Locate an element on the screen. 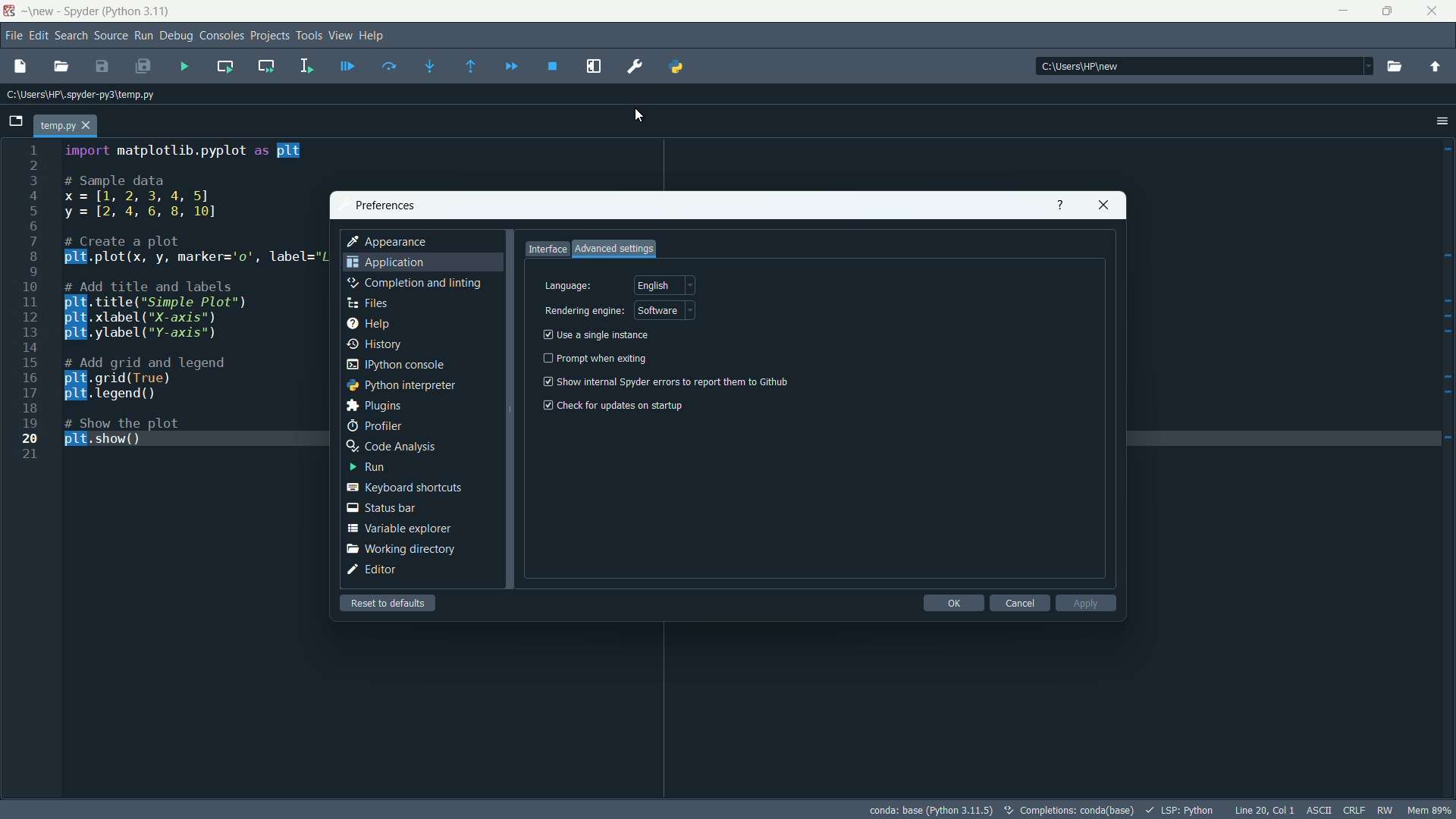  browse tabs is located at coordinates (15, 121).